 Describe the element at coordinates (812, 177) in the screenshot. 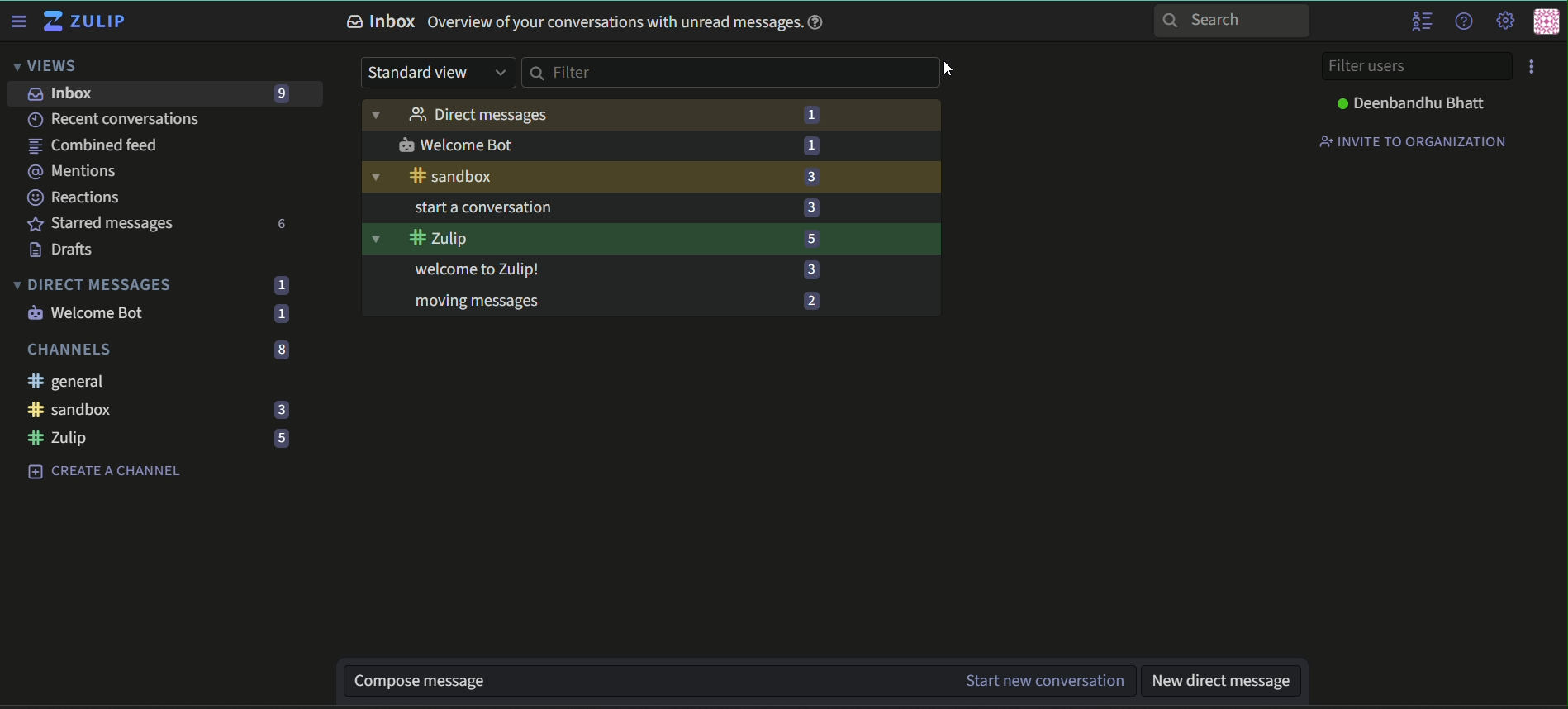

I see `Number` at that location.